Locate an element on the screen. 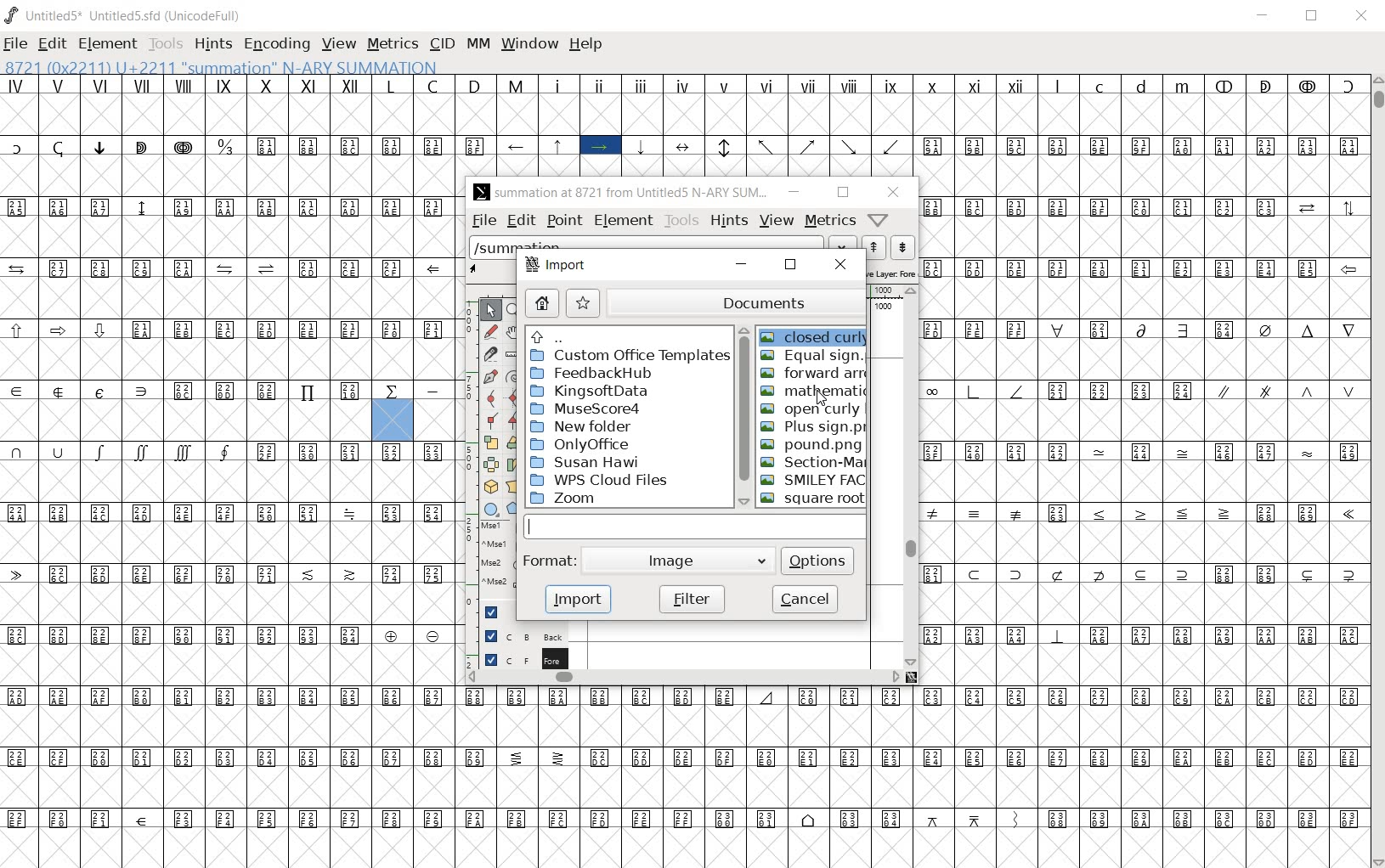  OnlyOffice is located at coordinates (580, 444).